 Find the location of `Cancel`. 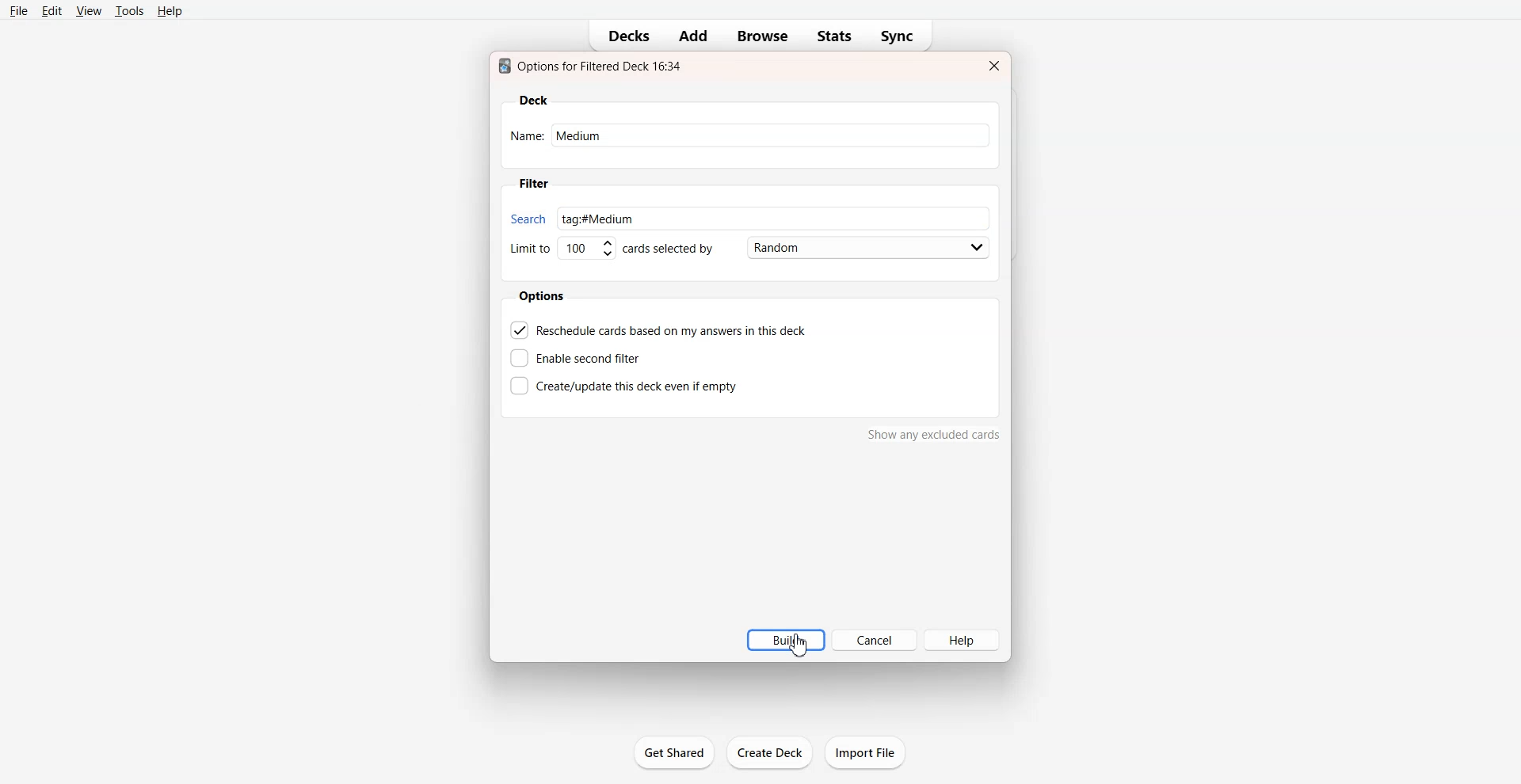

Cancel is located at coordinates (874, 640).